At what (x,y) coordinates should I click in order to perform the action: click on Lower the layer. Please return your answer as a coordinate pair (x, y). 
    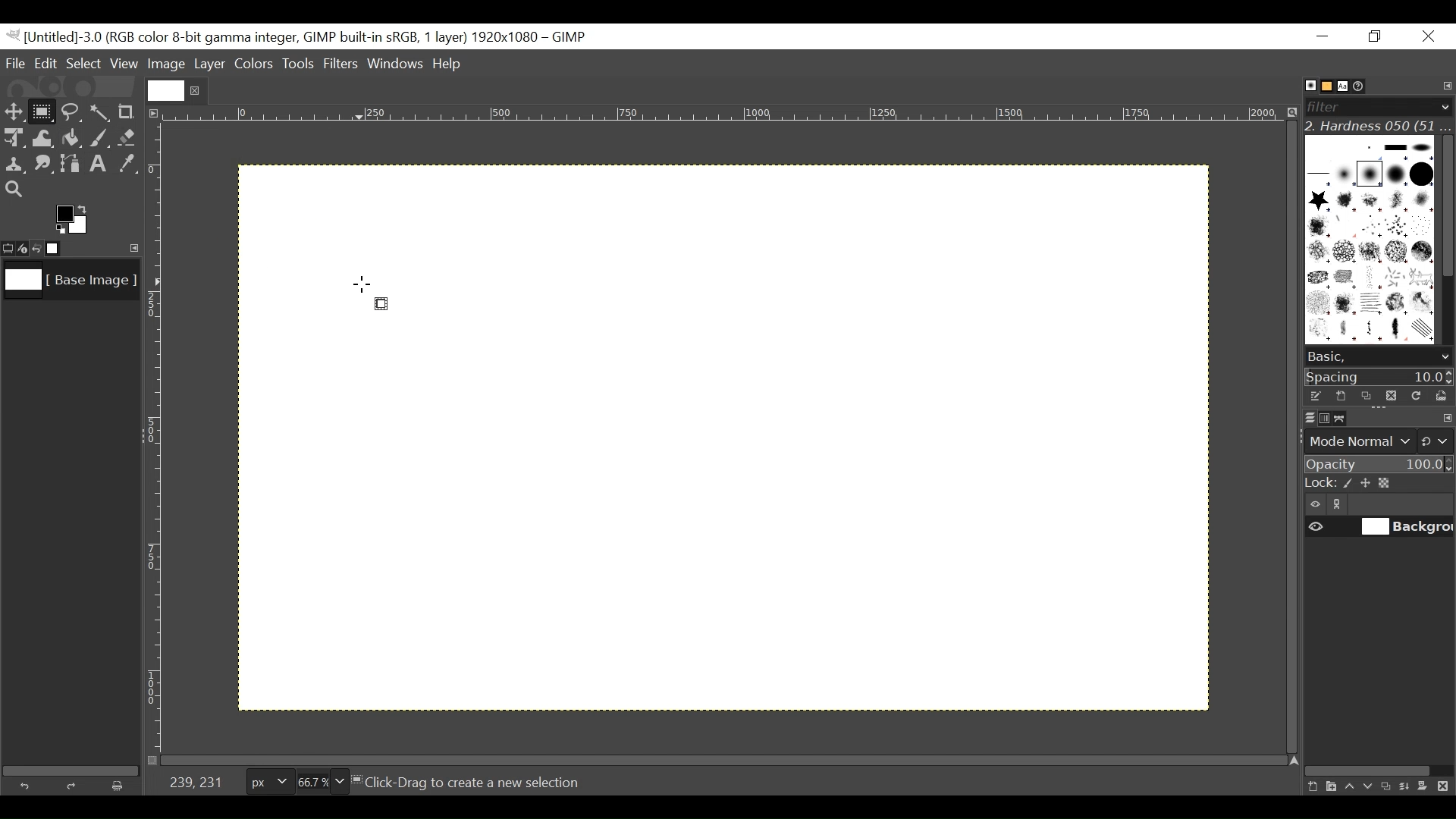
    Looking at the image, I should click on (1369, 785).